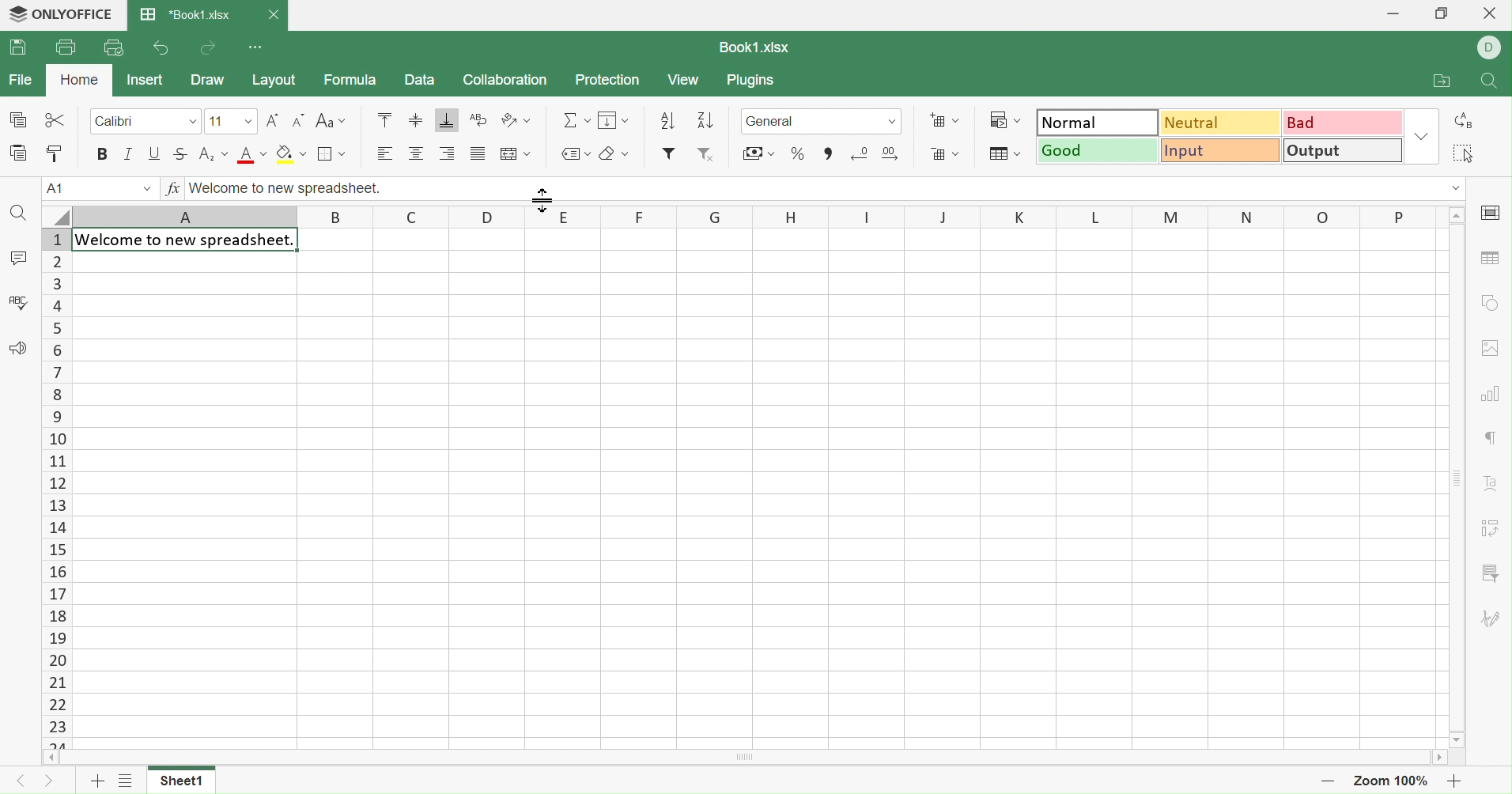 Image resolution: width=1512 pixels, height=794 pixels. Describe the element at coordinates (670, 153) in the screenshot. I see `Insert Filter` at that location.